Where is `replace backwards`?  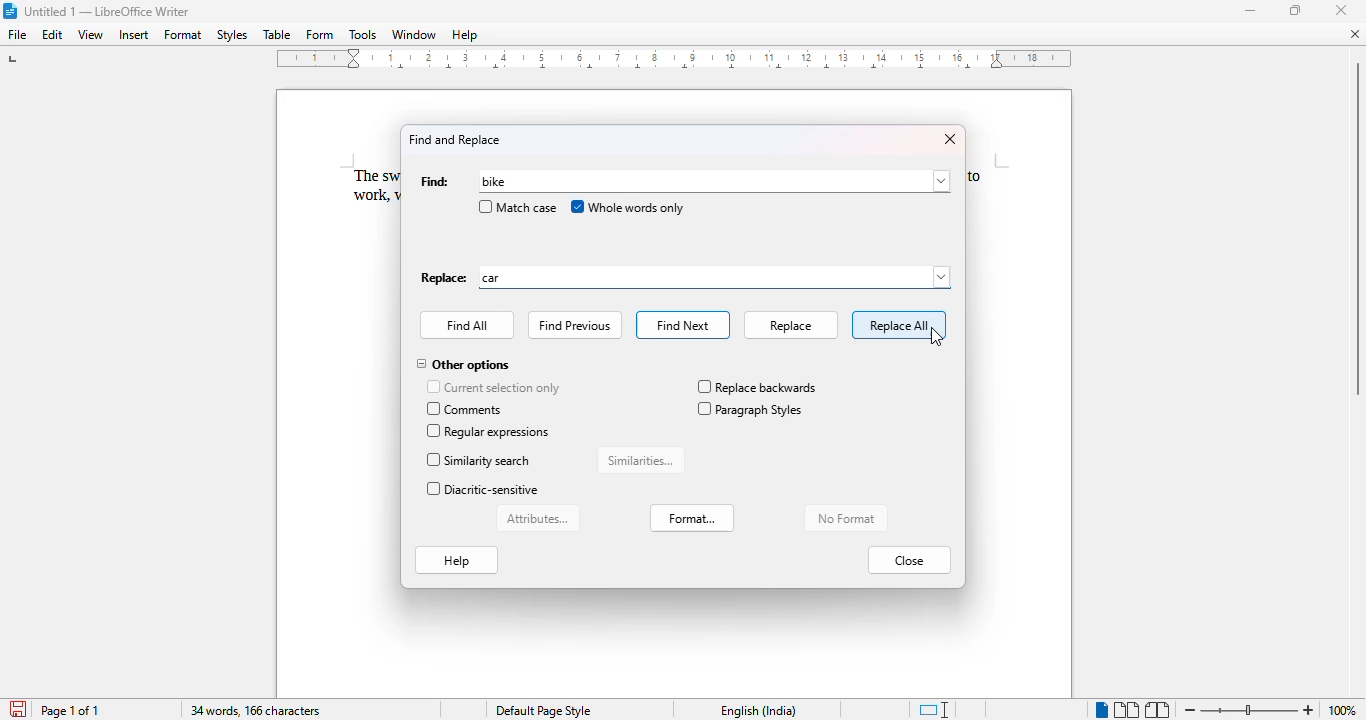 replace backwards is located at coordinates (756, 387).